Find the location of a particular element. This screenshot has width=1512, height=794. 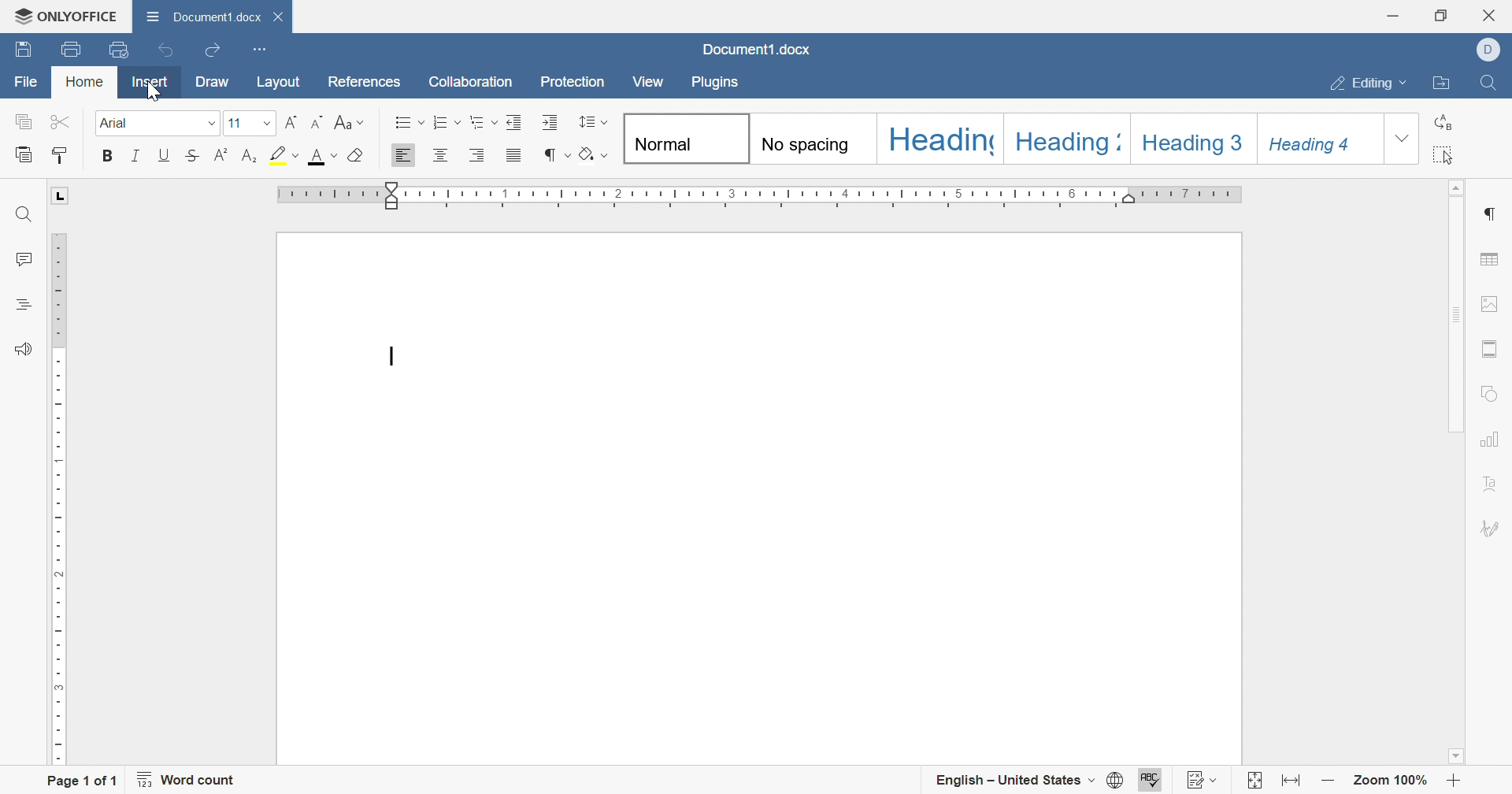

Select all is located at coordinates (1447, 155).